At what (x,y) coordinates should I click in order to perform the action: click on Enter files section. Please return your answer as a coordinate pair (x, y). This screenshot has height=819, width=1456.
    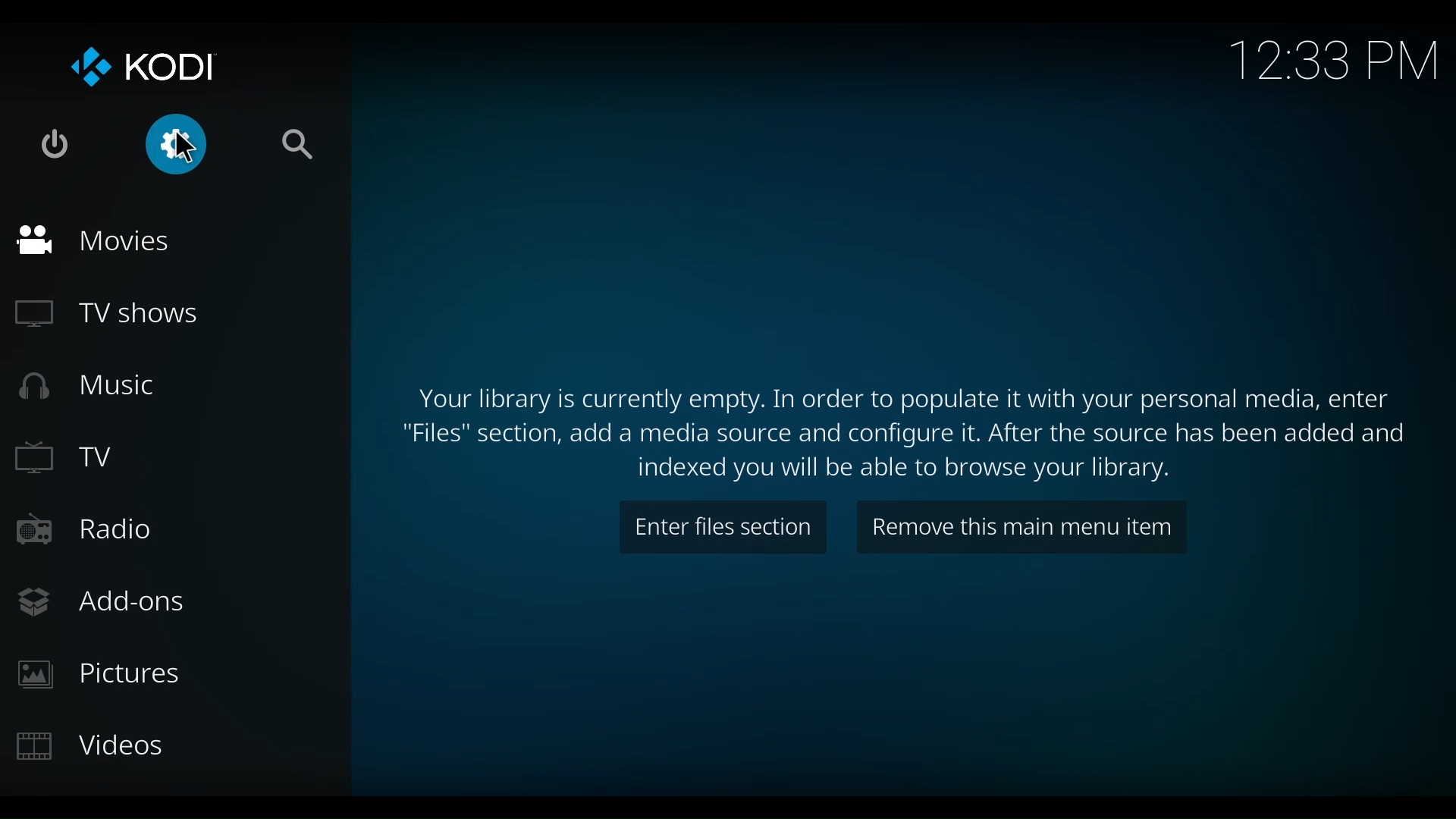
    Looking at the image, I should click on (724, 526).